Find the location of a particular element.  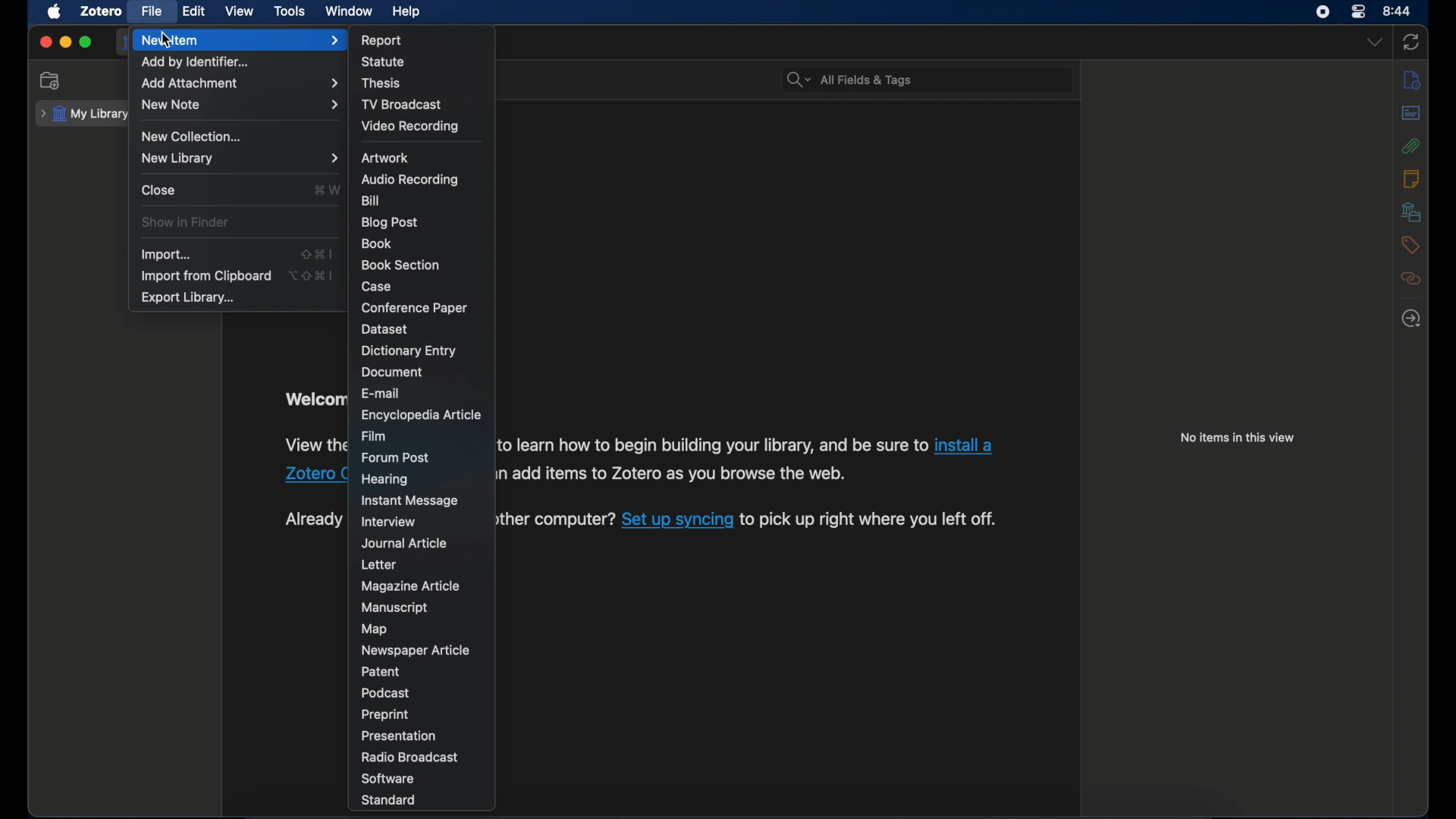

welcome to zotero is located at coordinates (314, 400).